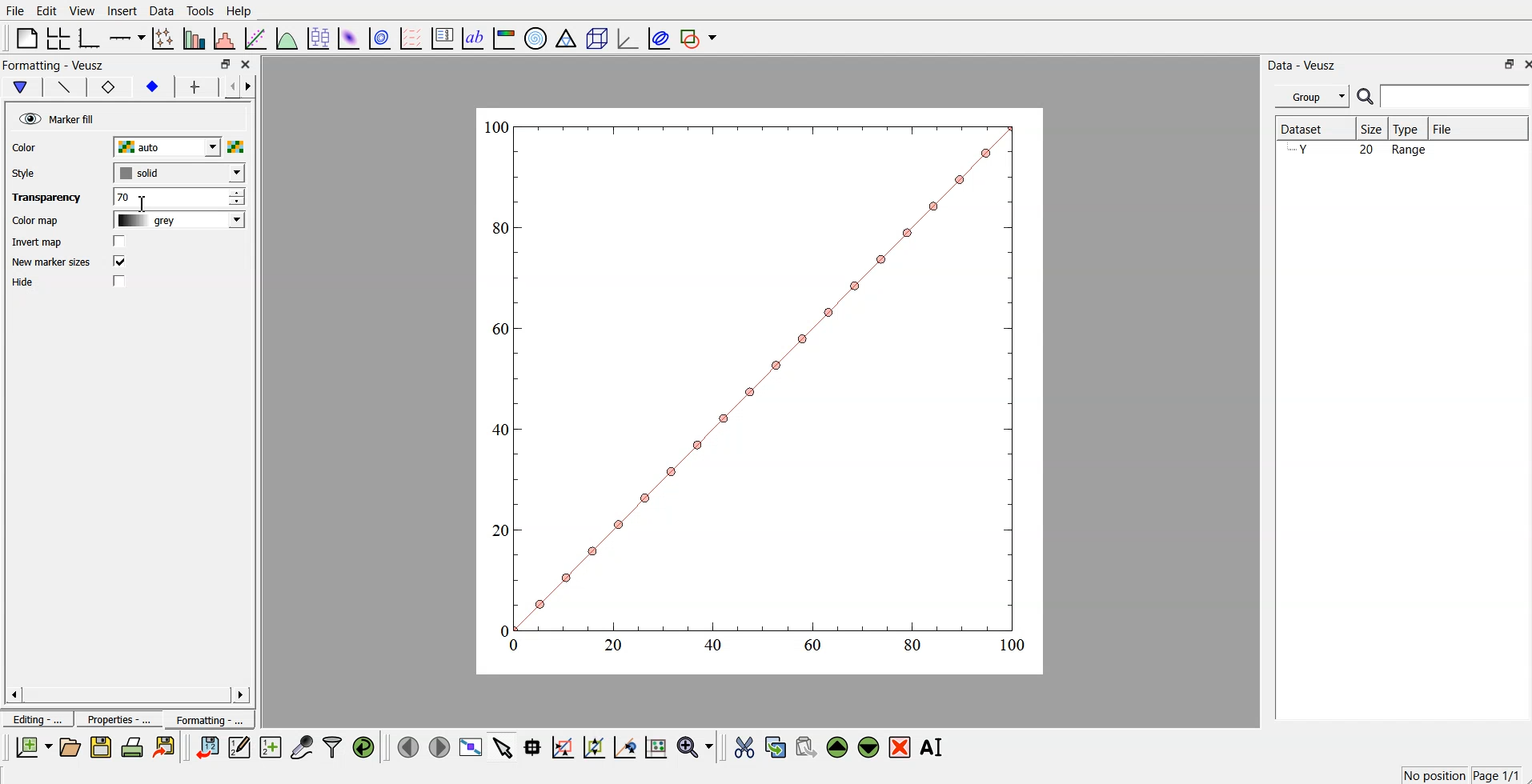 This screenshot has width=1532, height=784. What do you see at coordinates (762, 390) in the screenshot?
I see `page` at bounding box center [762, 390].